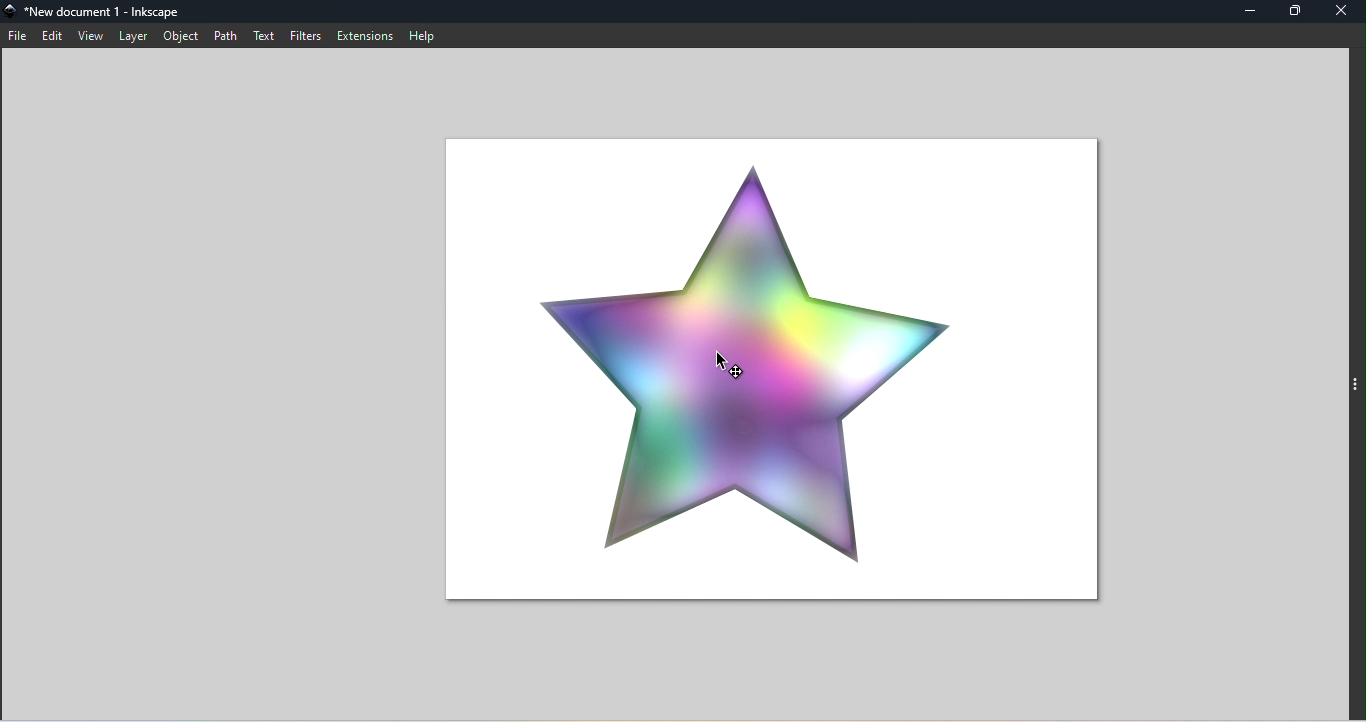  What do you see at coordinates (1252, 12) in the screenshot?
I see `Minimize` at bounding box center [1252, 12].